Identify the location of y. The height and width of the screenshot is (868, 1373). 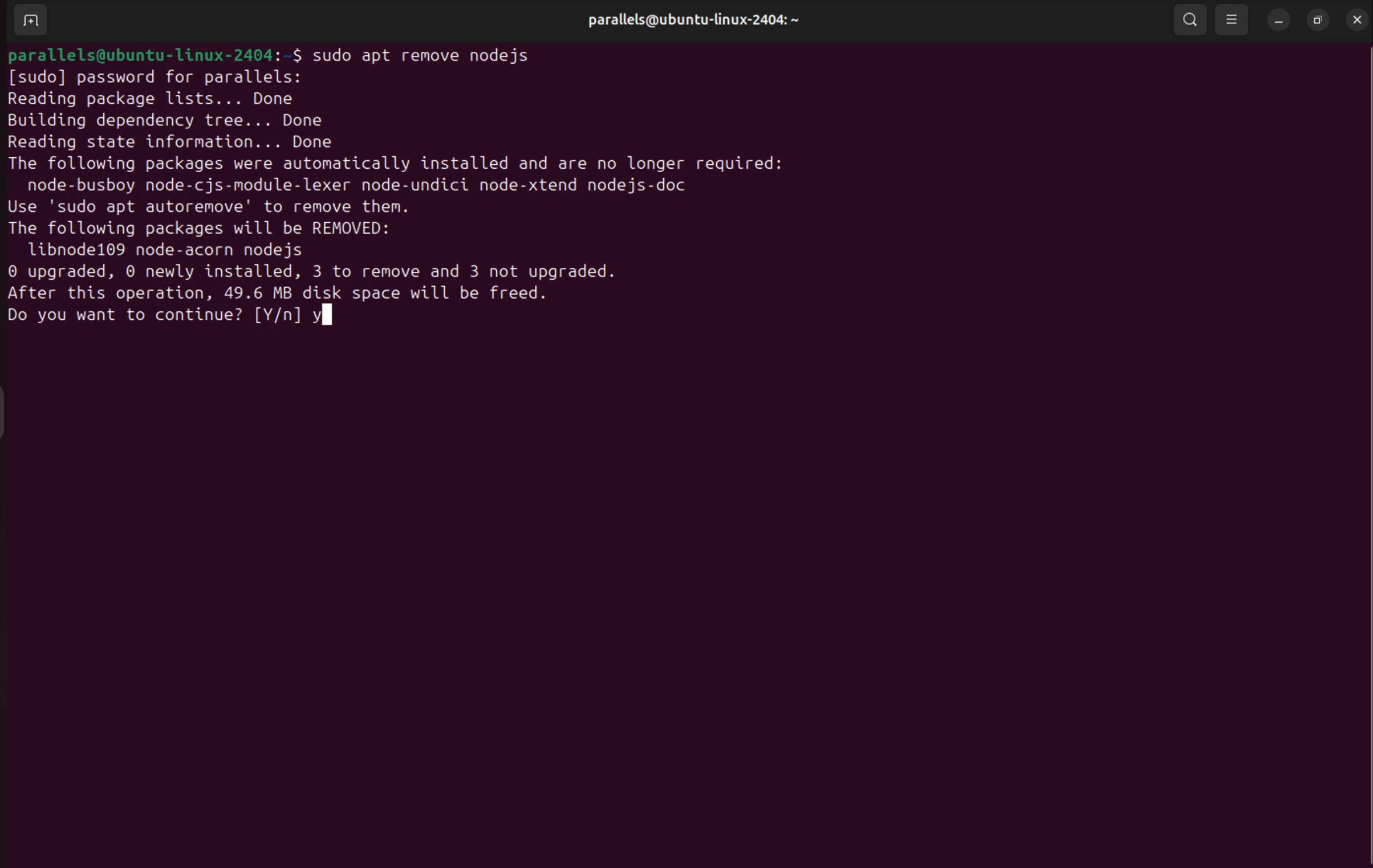
(324, 319).